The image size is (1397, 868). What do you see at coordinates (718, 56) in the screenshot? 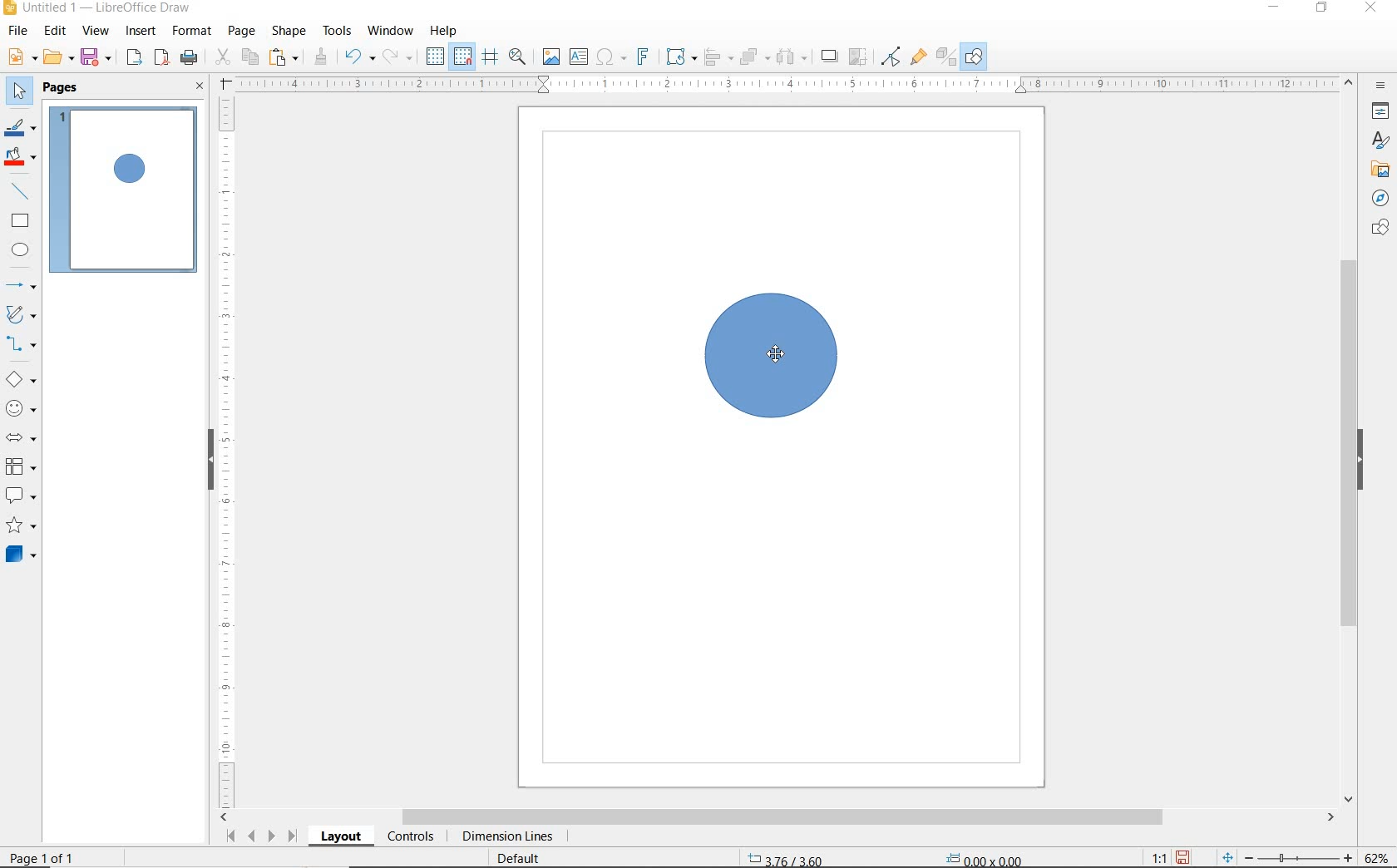
I see `ALIGN OBJECTS` at bounding box center [718, 56].